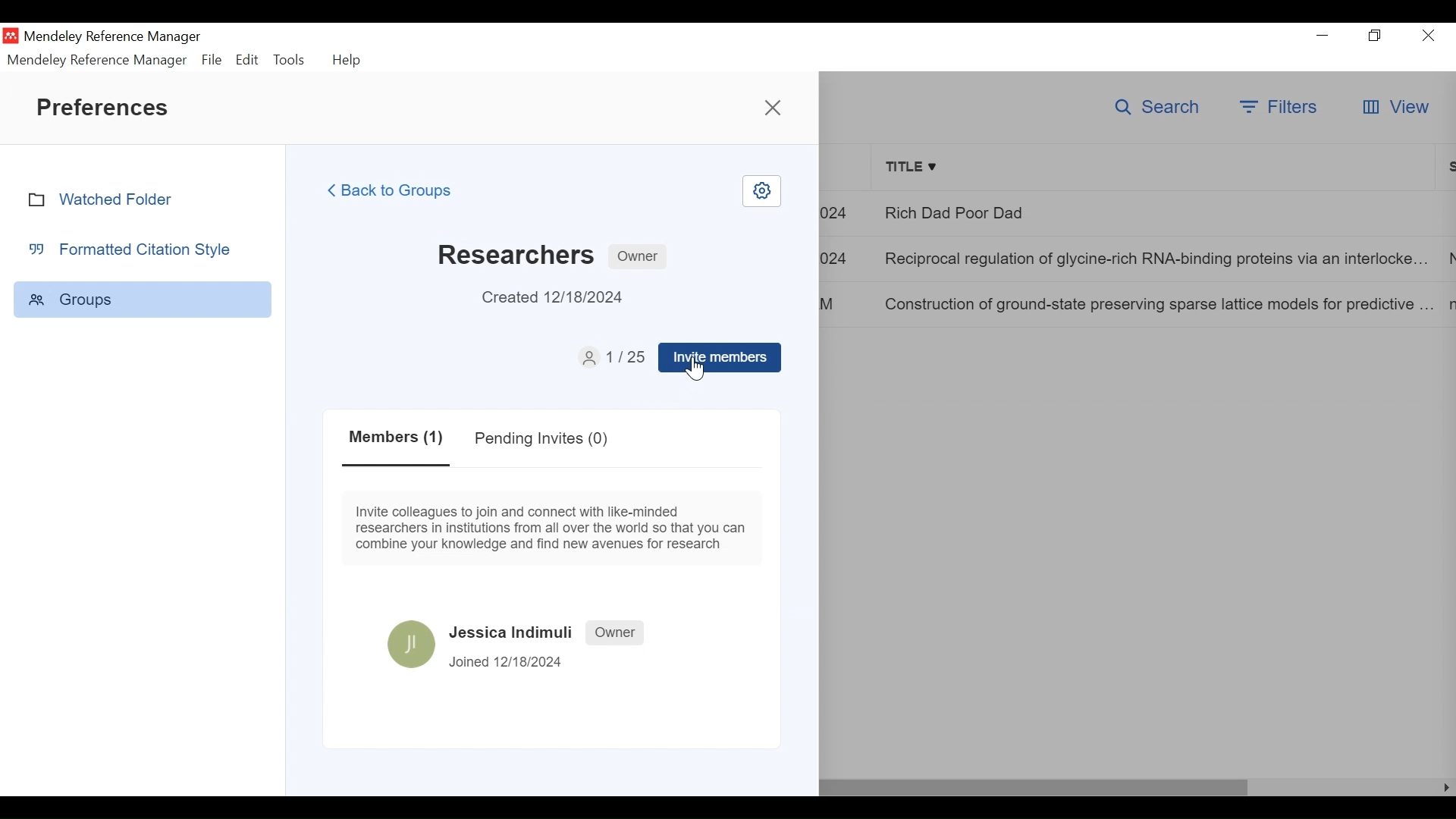 The height and width of the screenshot is (819, 1456). Describe the element at coordinates (612, 356) in the screenshot. I see `1/12` at that location.